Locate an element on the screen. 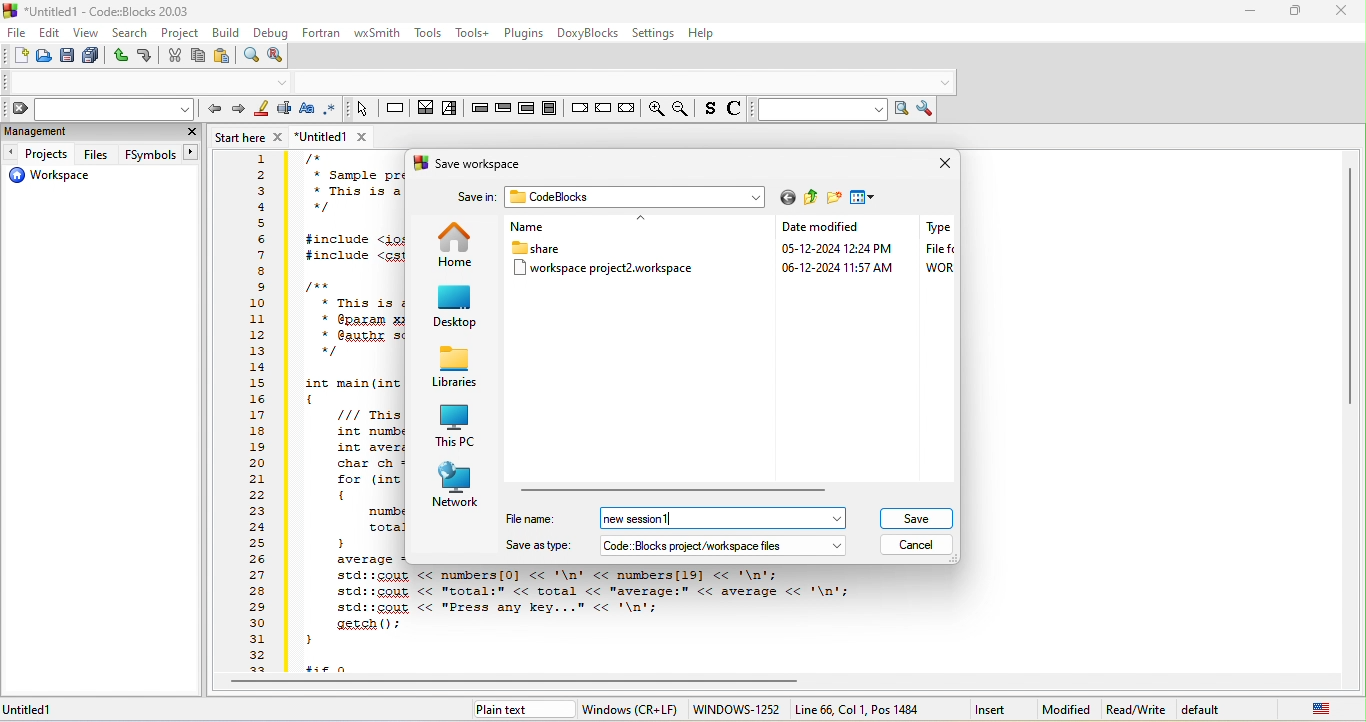 The image size is (1366, 722). plain text is located at coordinates (506, 712).